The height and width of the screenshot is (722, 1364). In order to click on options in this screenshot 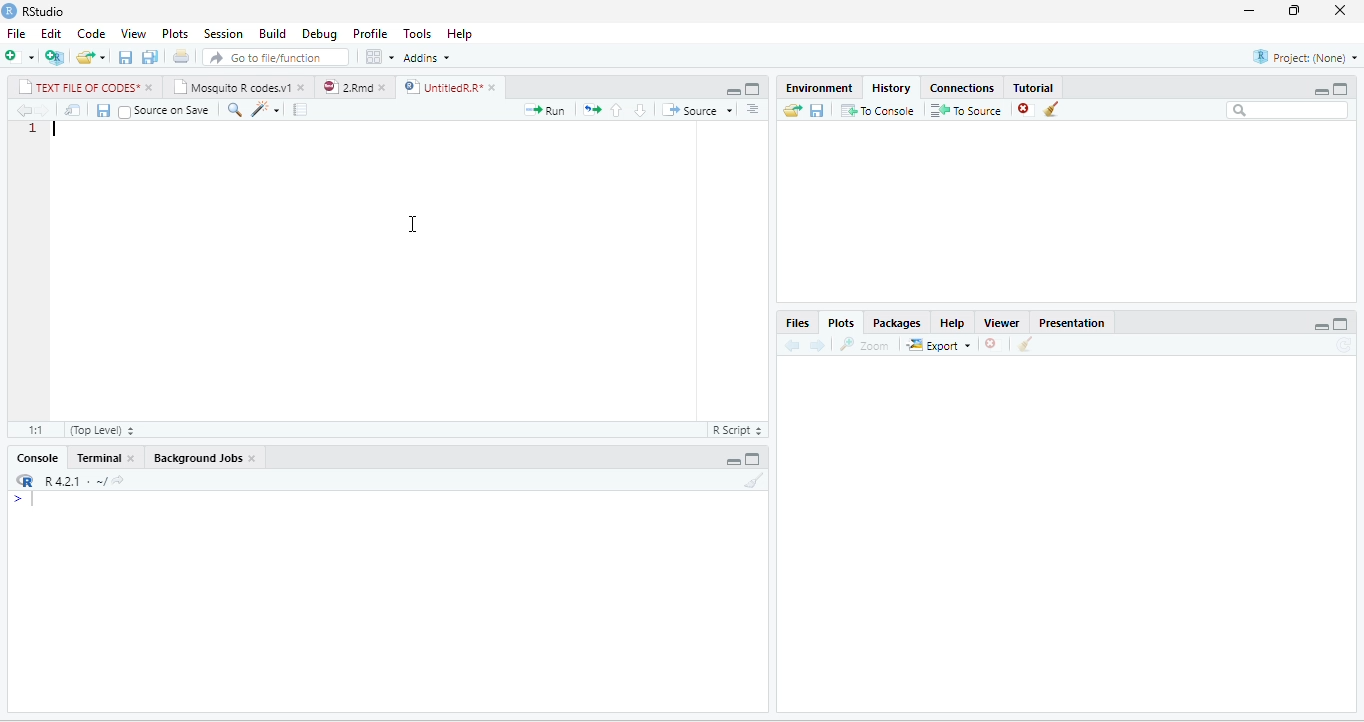, I will do `click(752, 109)`.